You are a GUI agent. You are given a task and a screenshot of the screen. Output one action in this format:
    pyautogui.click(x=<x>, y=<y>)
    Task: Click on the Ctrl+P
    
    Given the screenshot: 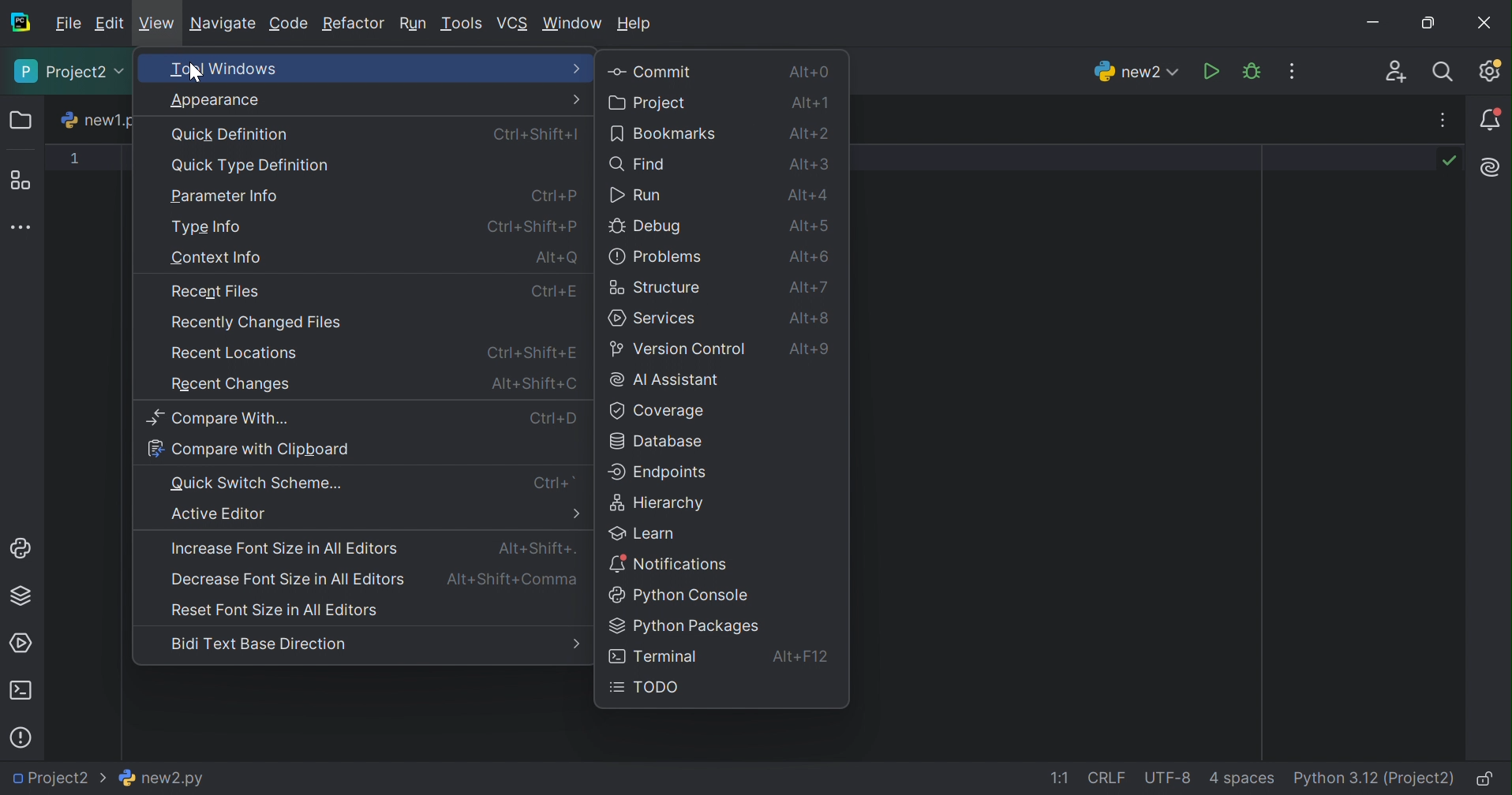 What is the action you would take?
    pyautogui.click(x=555, y=291)
    